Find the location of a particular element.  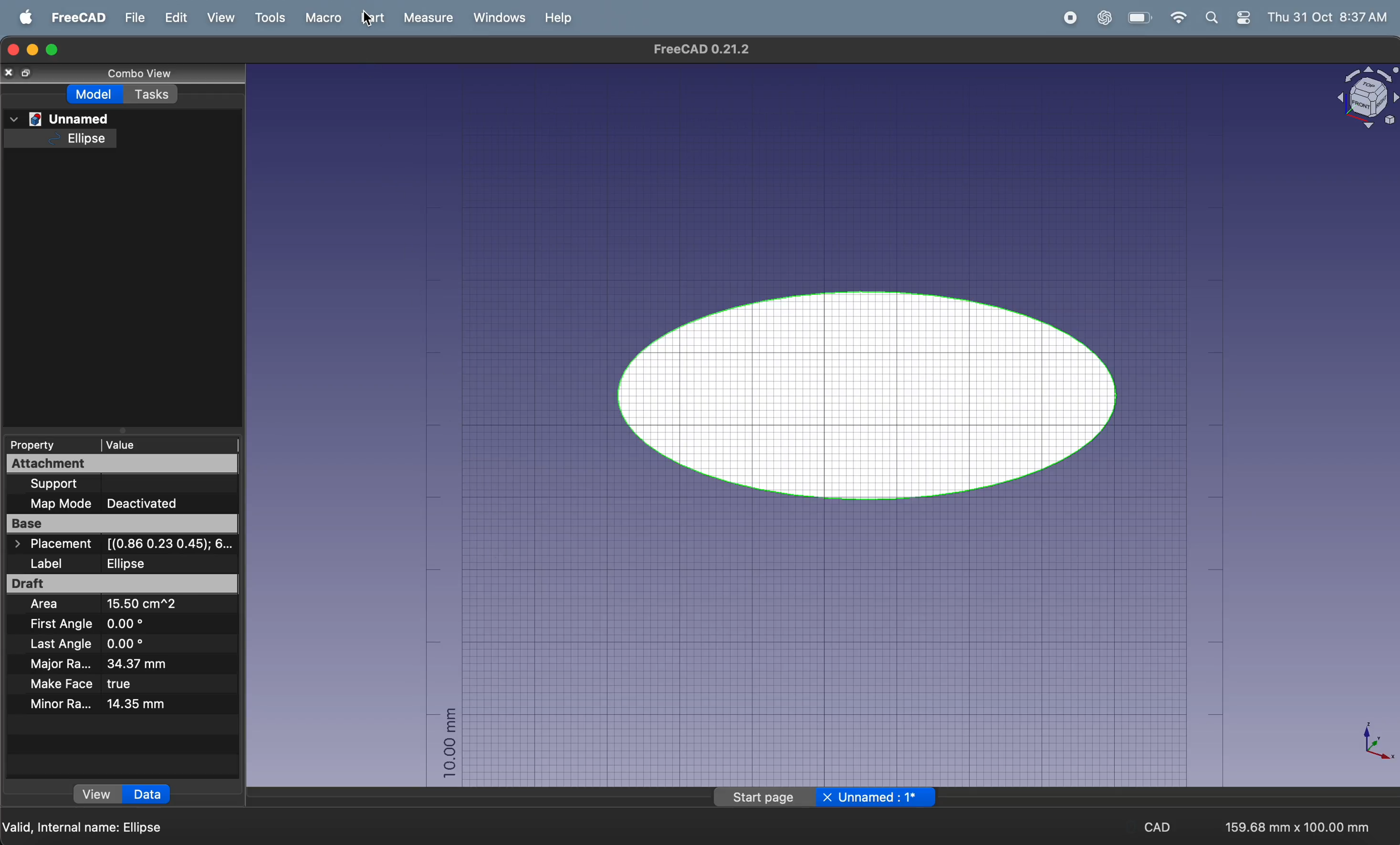

last angle is located at coordinates (84, 645).